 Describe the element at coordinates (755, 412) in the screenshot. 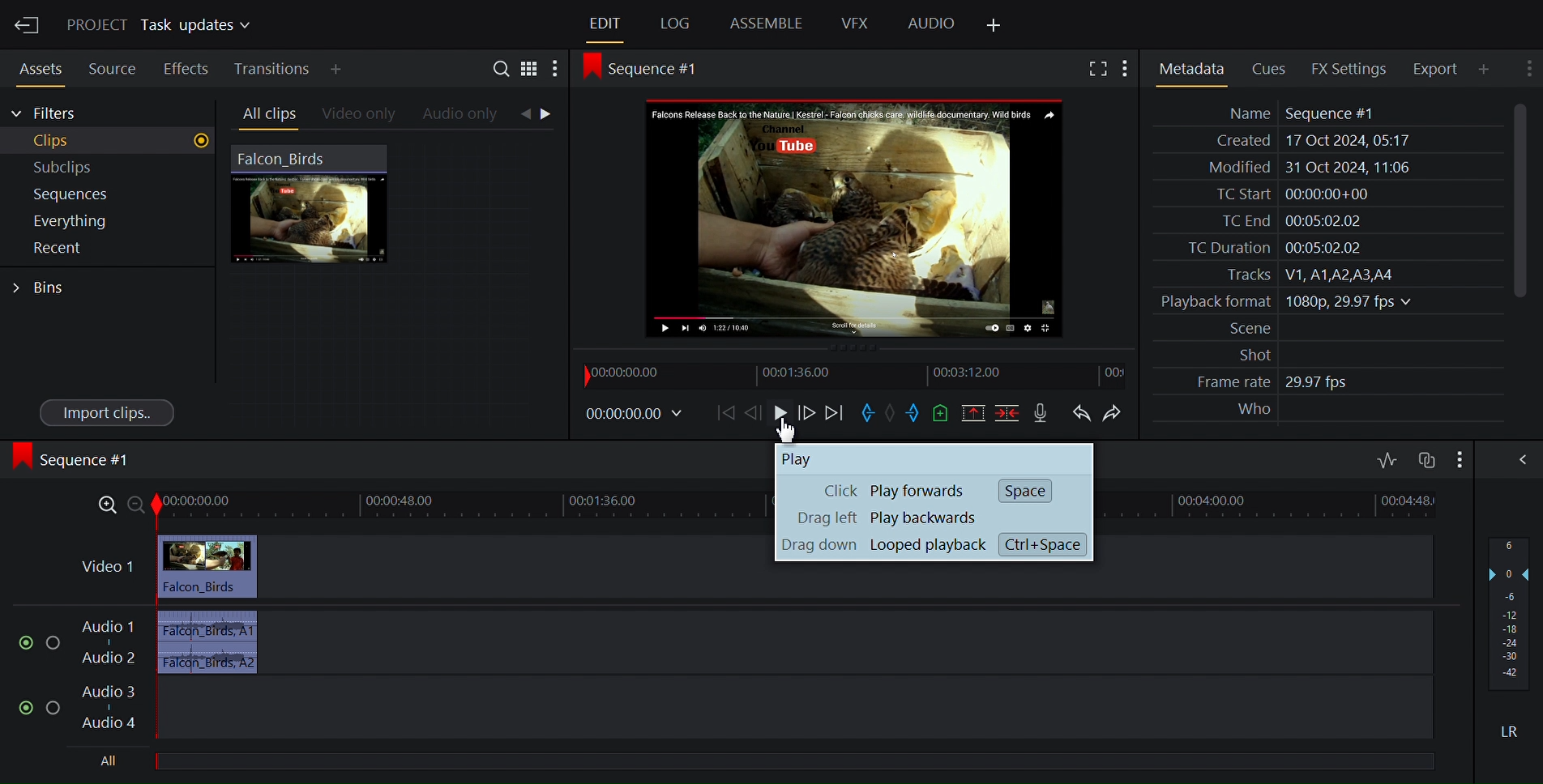

I see `Nudge one frame backward` at that location.